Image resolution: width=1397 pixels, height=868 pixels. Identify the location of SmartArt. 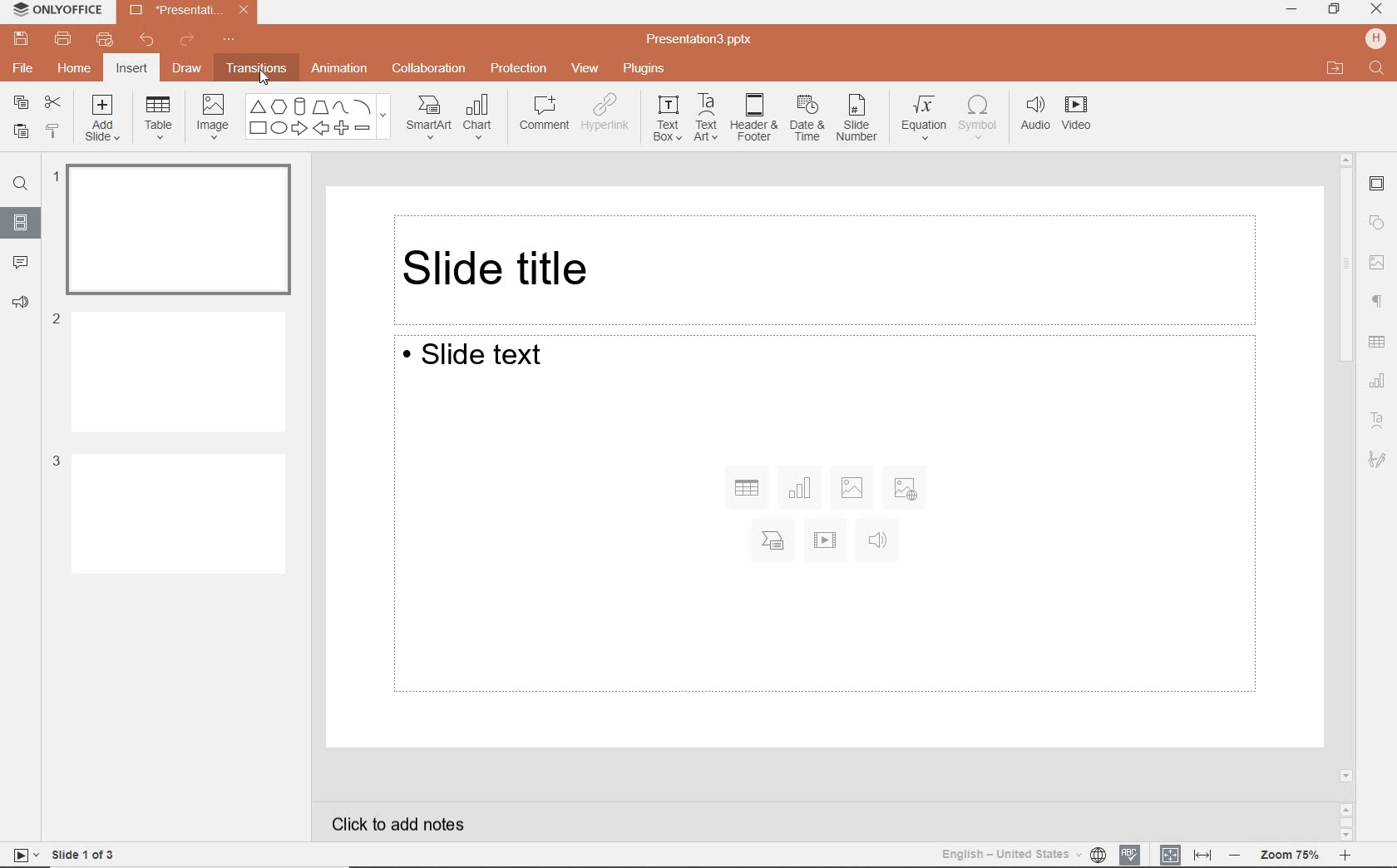
(428, 118).